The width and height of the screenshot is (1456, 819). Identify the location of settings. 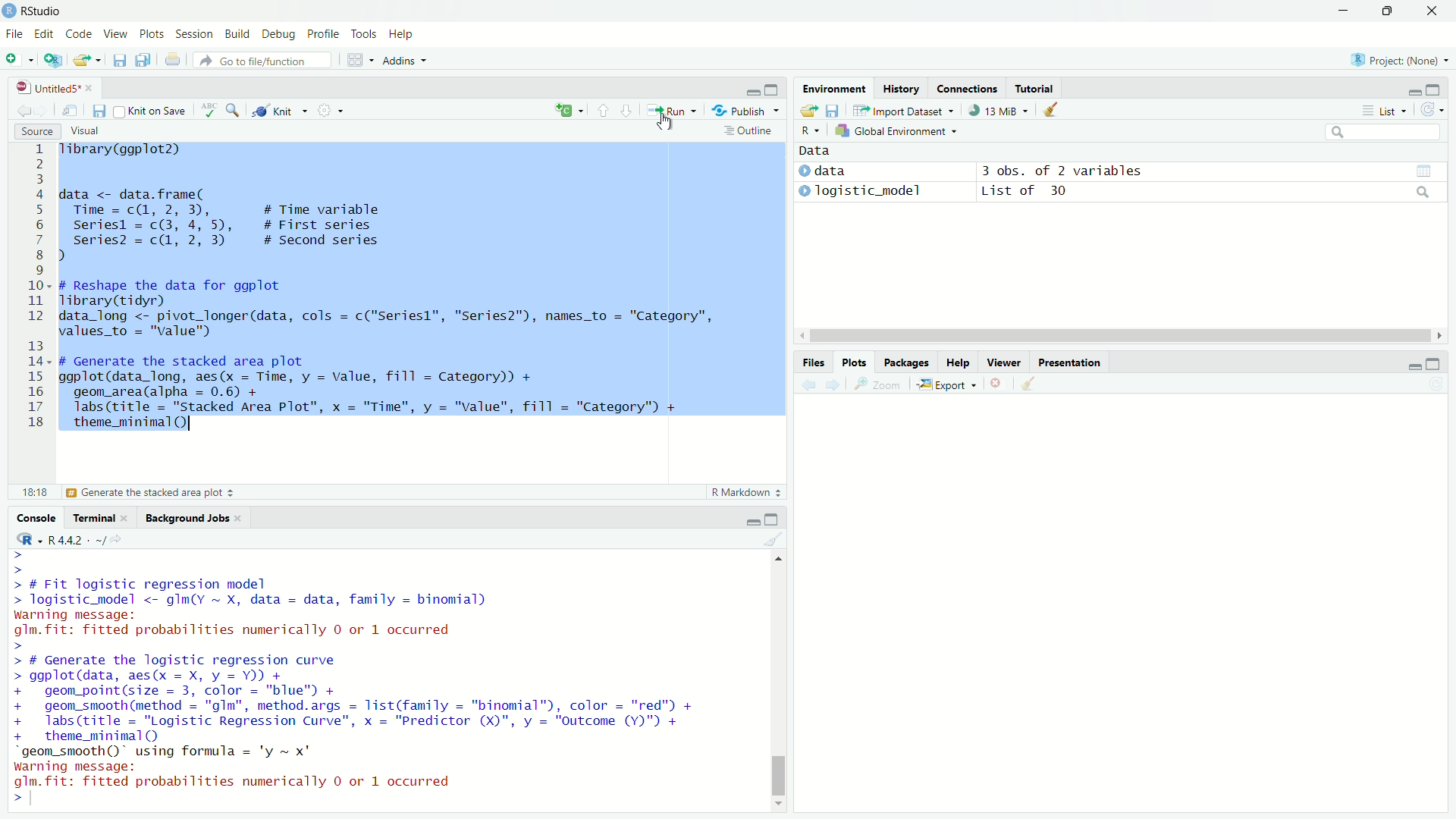
(334, 110).